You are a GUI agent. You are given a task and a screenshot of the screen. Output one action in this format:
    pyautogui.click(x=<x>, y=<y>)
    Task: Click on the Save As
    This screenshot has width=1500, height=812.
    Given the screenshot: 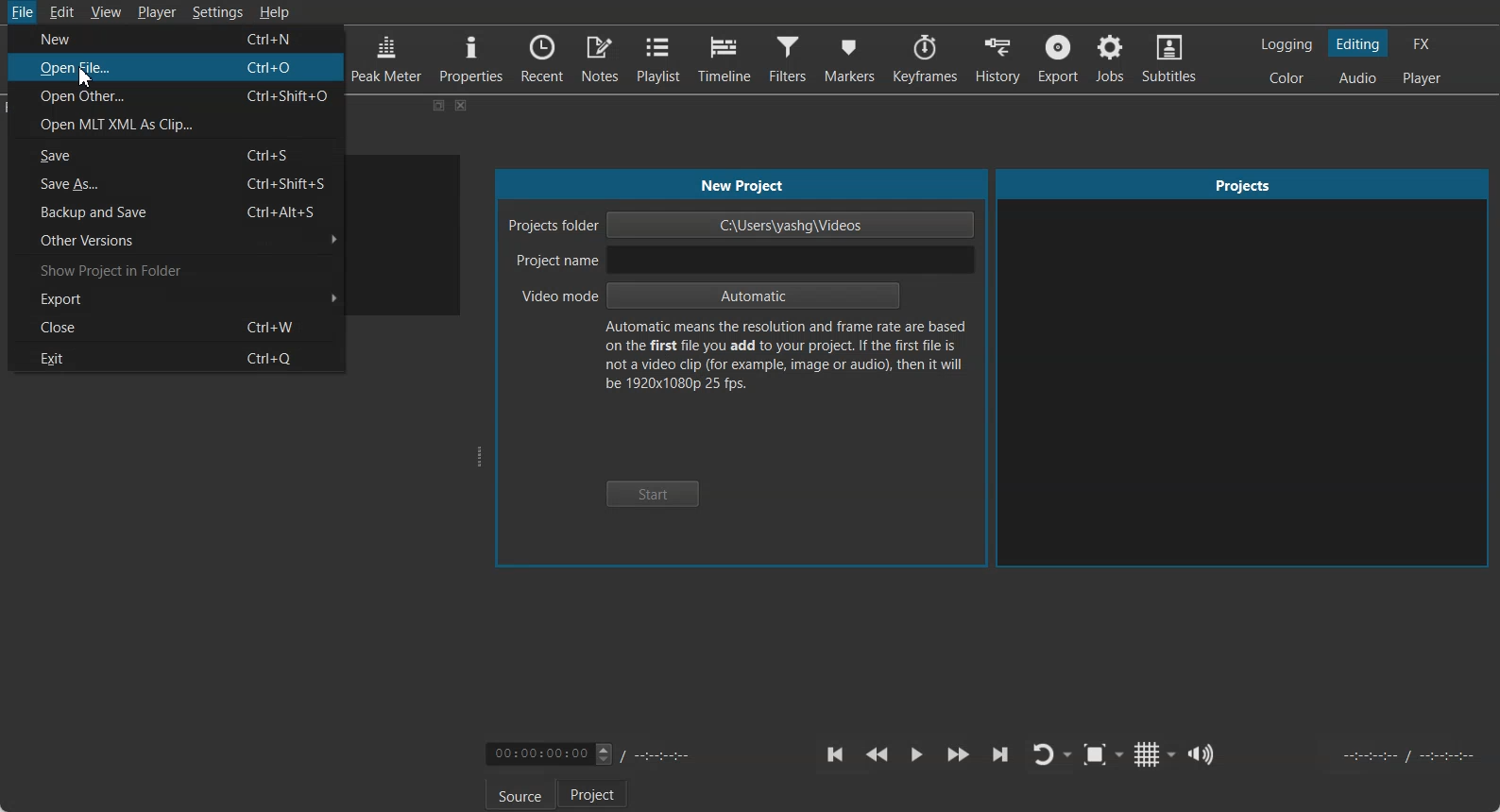 What is the action you would take?
    pyautogui.click(x=105, y=184)
    